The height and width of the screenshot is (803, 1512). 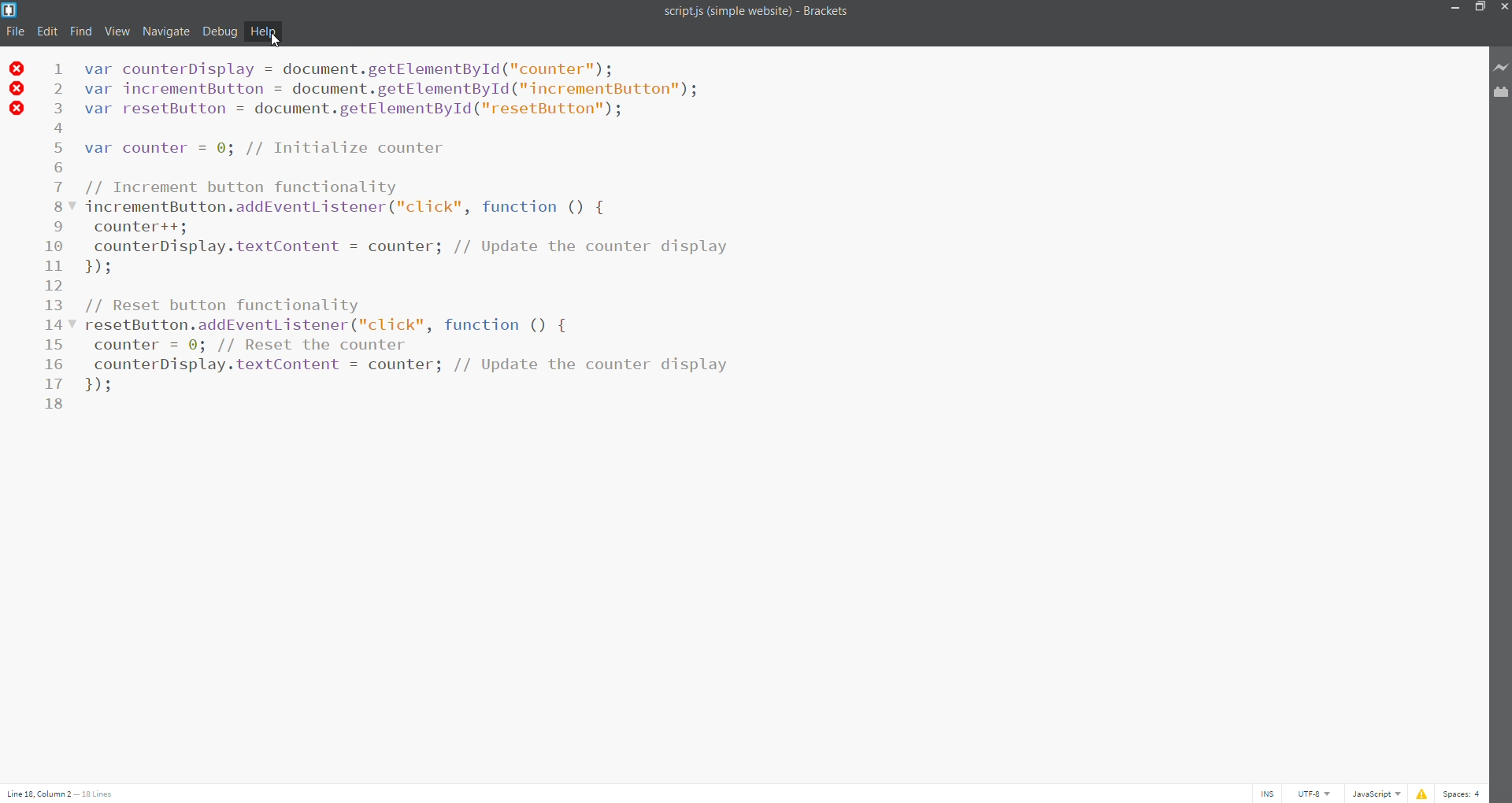 What do you see at coordinates (57, 243) in the screenshot?
I see `1
2
H
4
5
6
7
8
9
10
11
12
13
14
15
16
17
18` at bounding box center [57, 243].